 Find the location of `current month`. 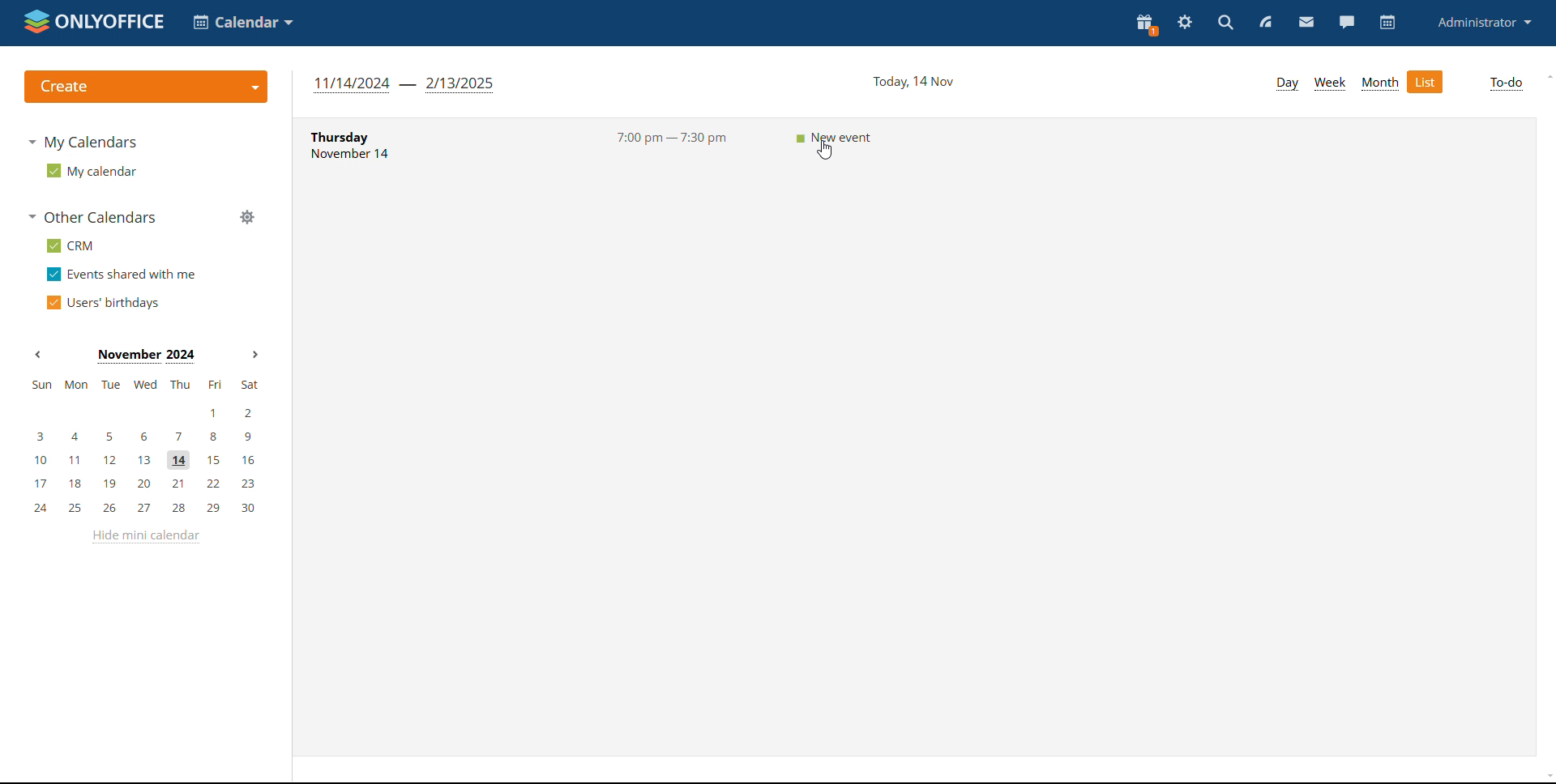

current month is located at coordinates (144, 356).